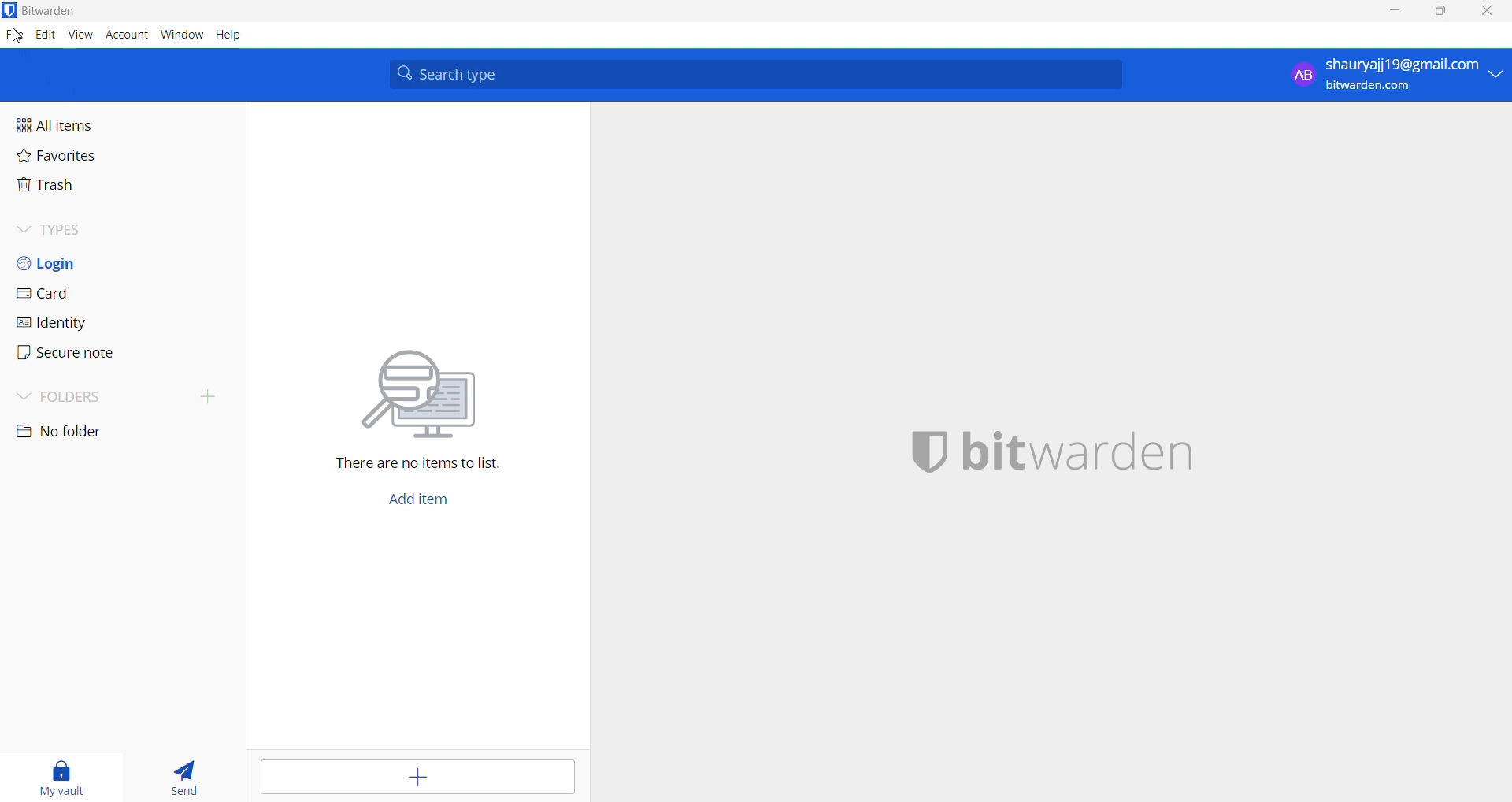 The width and height of the screenshot is (1512, 802). I want to click on identity, so click(133, 323).